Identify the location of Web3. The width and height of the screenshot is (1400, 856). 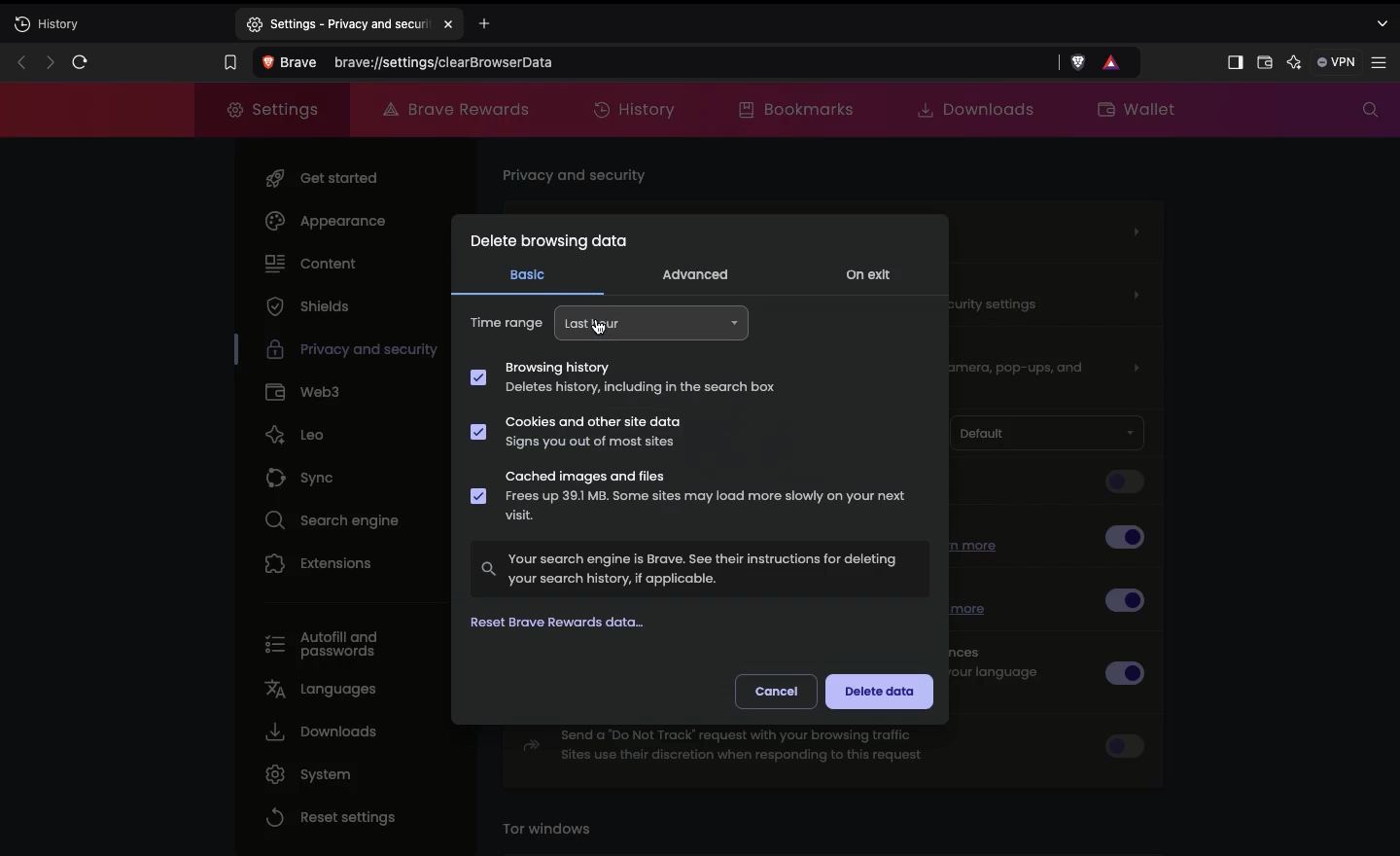
(306, 393).